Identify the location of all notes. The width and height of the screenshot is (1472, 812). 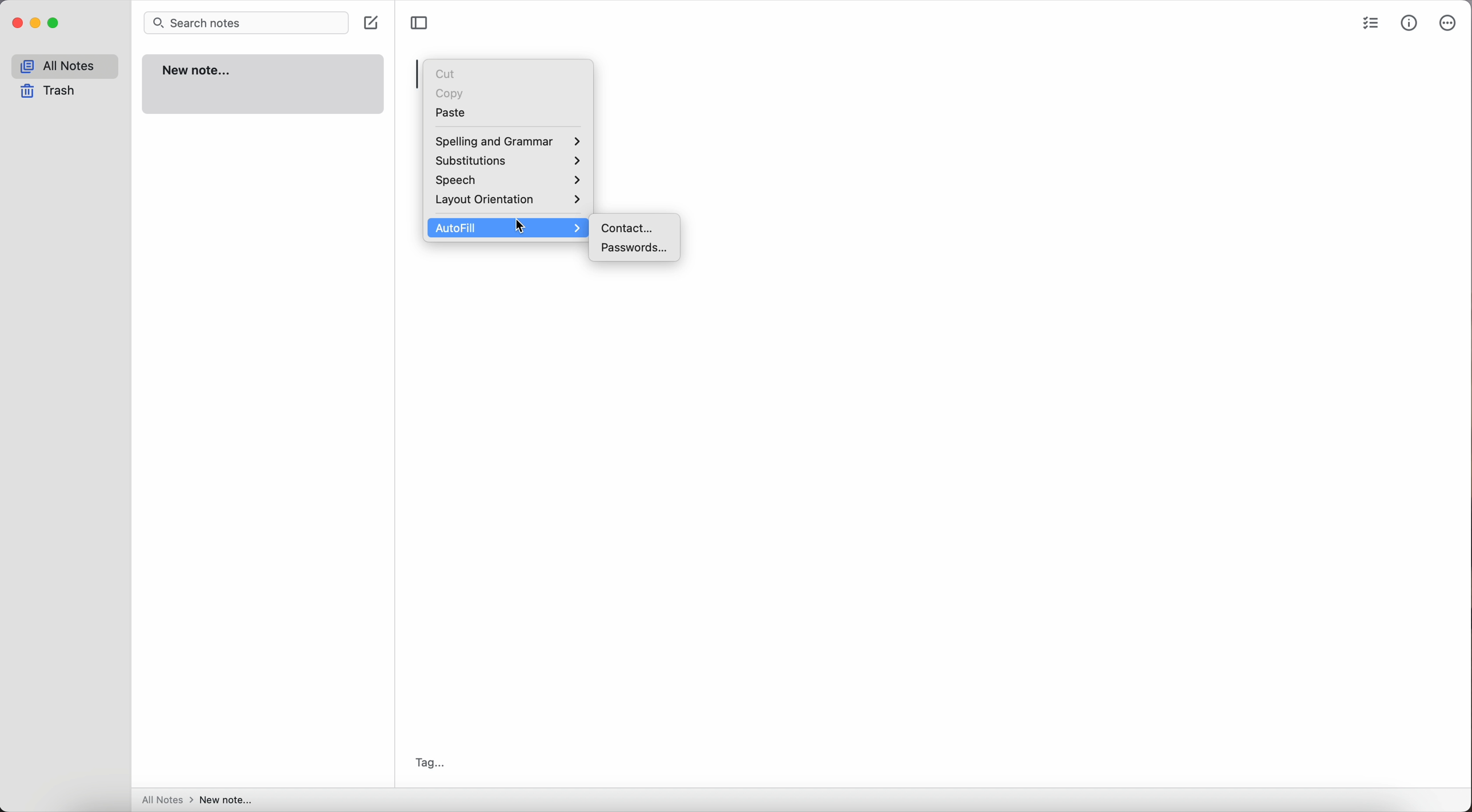
(63, 67).